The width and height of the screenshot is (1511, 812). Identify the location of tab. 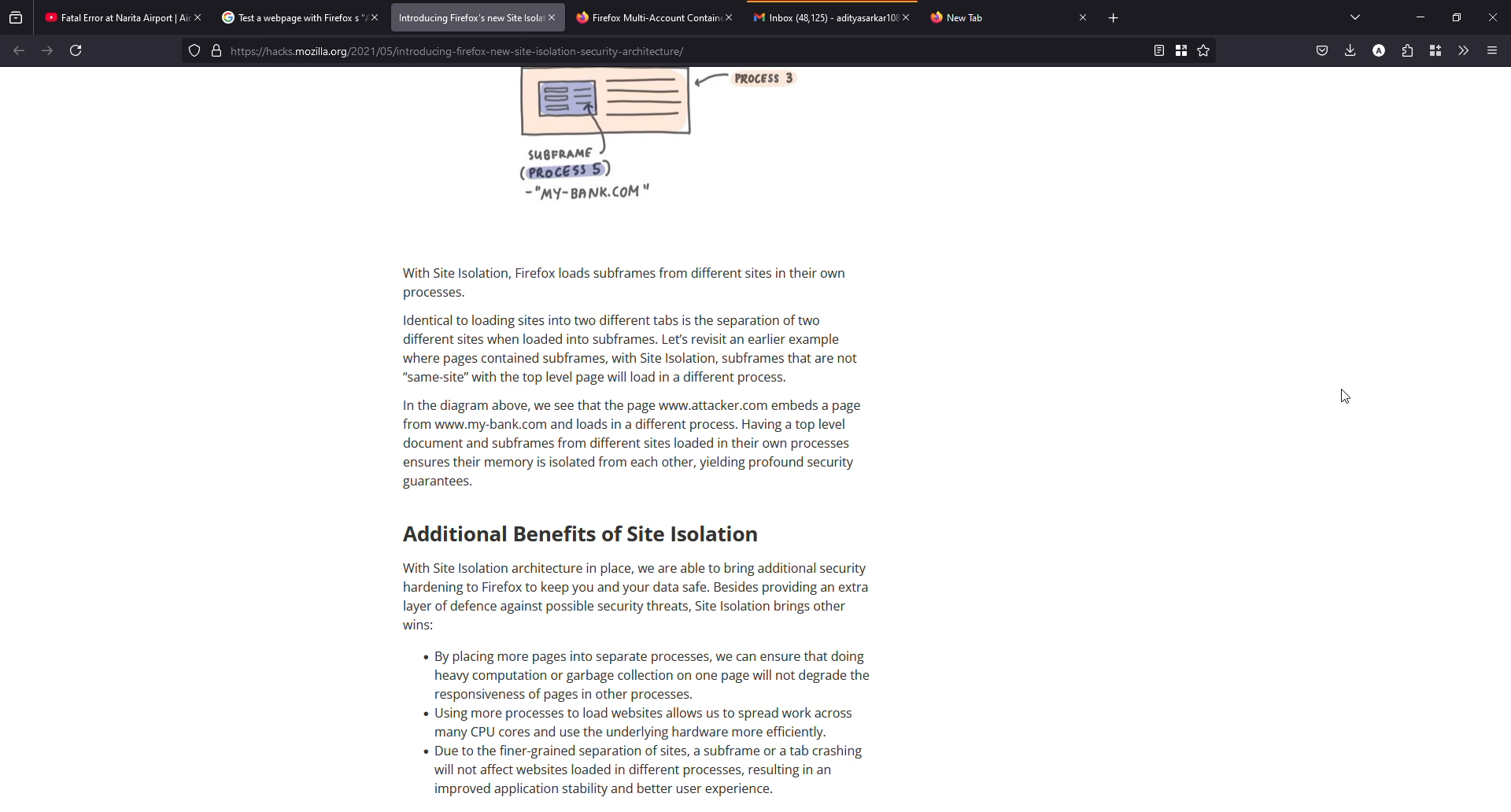
(959, 18).